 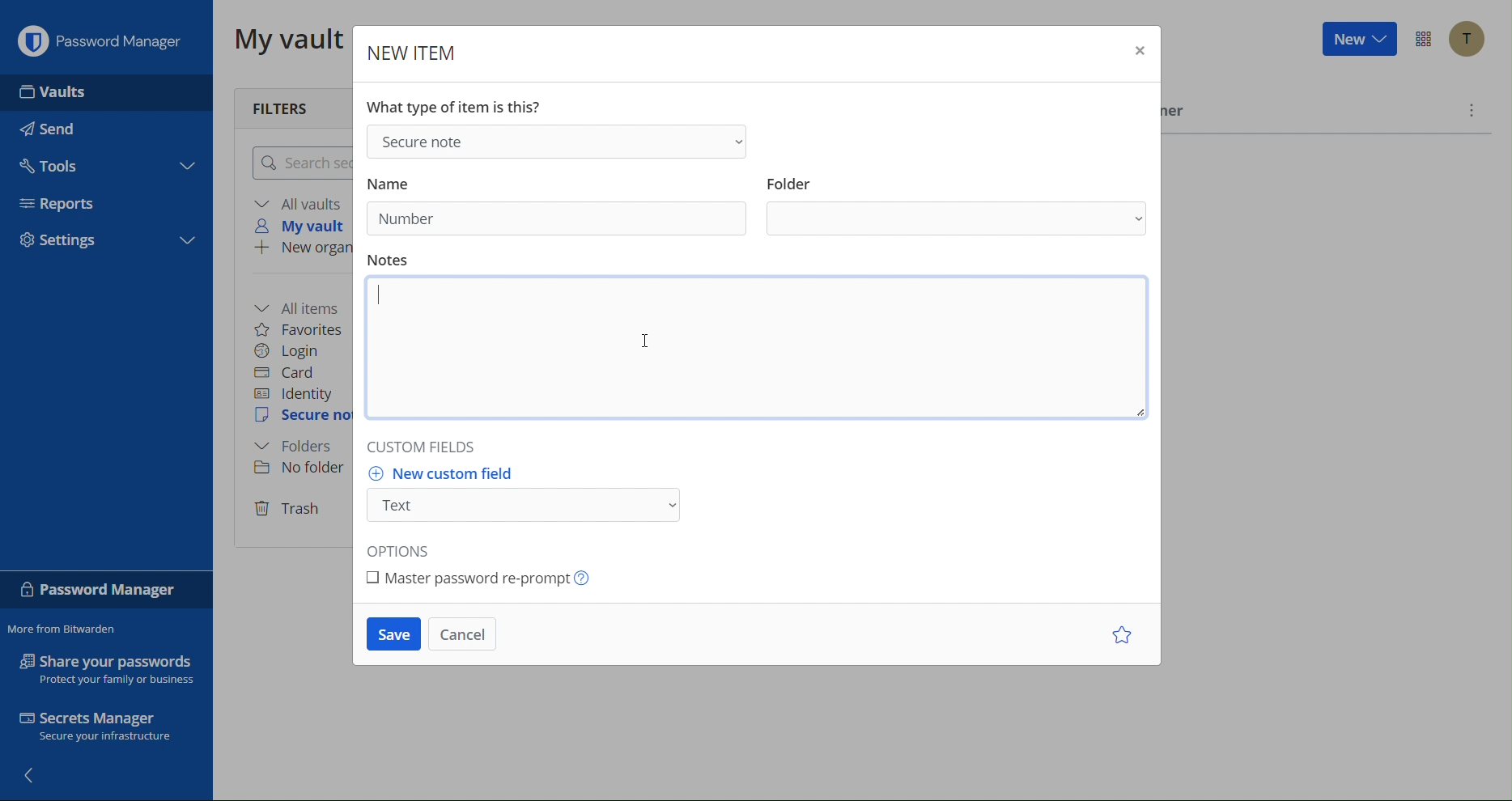 I want to click on Cancel, so click(x=466, y=636).